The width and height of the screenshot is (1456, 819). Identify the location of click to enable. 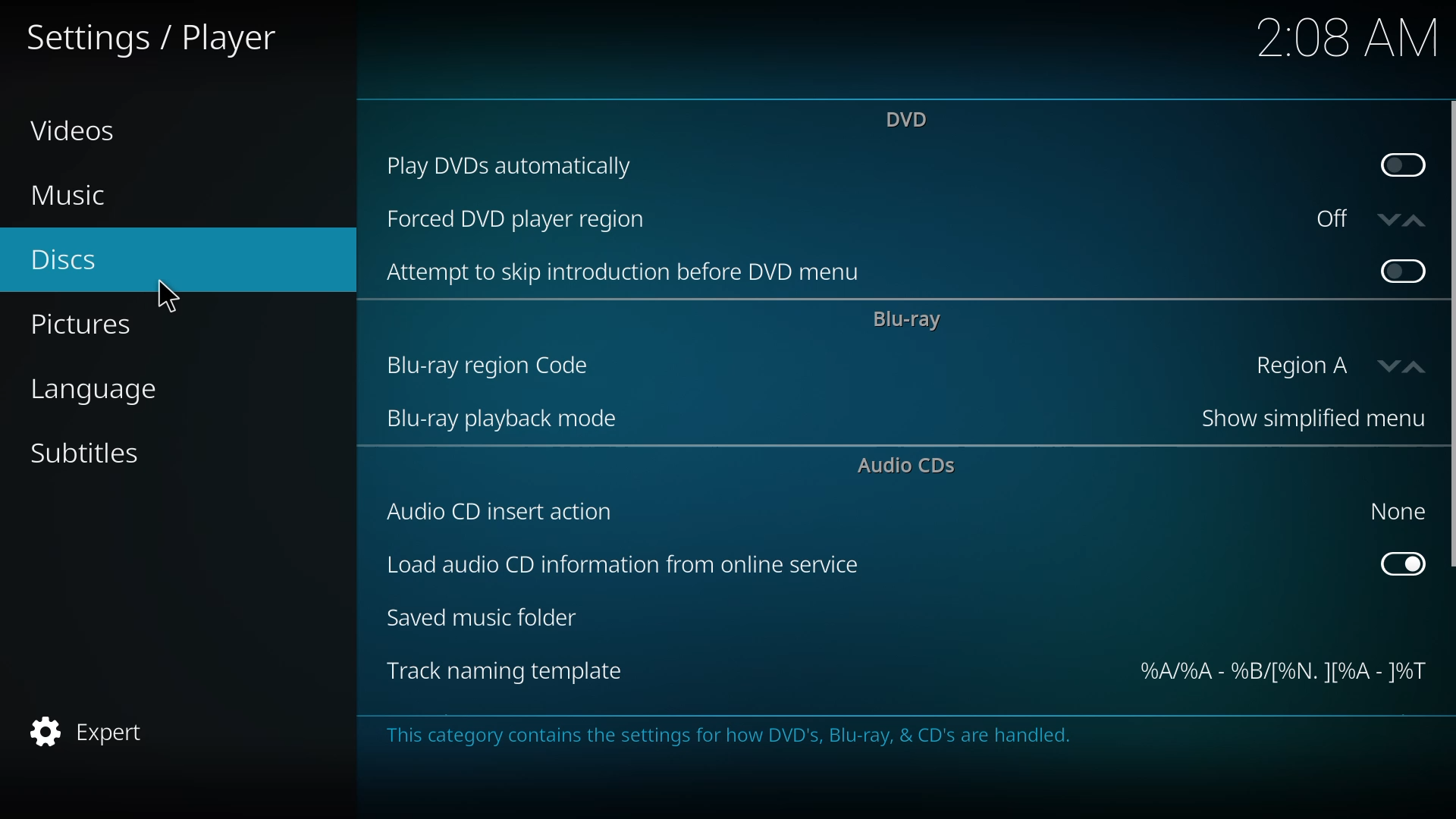
(1402, 162).